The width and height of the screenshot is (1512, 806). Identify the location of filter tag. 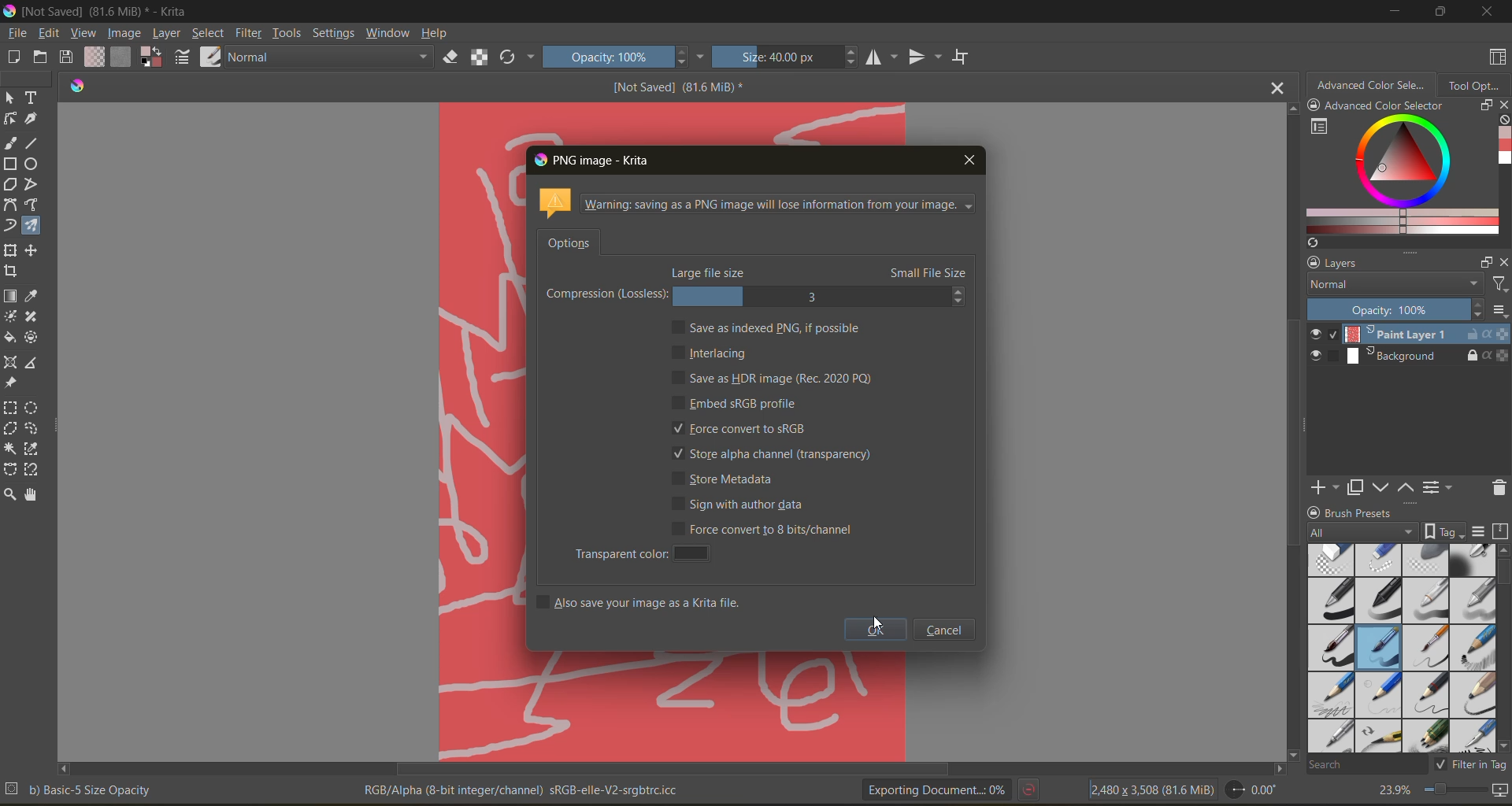
(1468, 763).